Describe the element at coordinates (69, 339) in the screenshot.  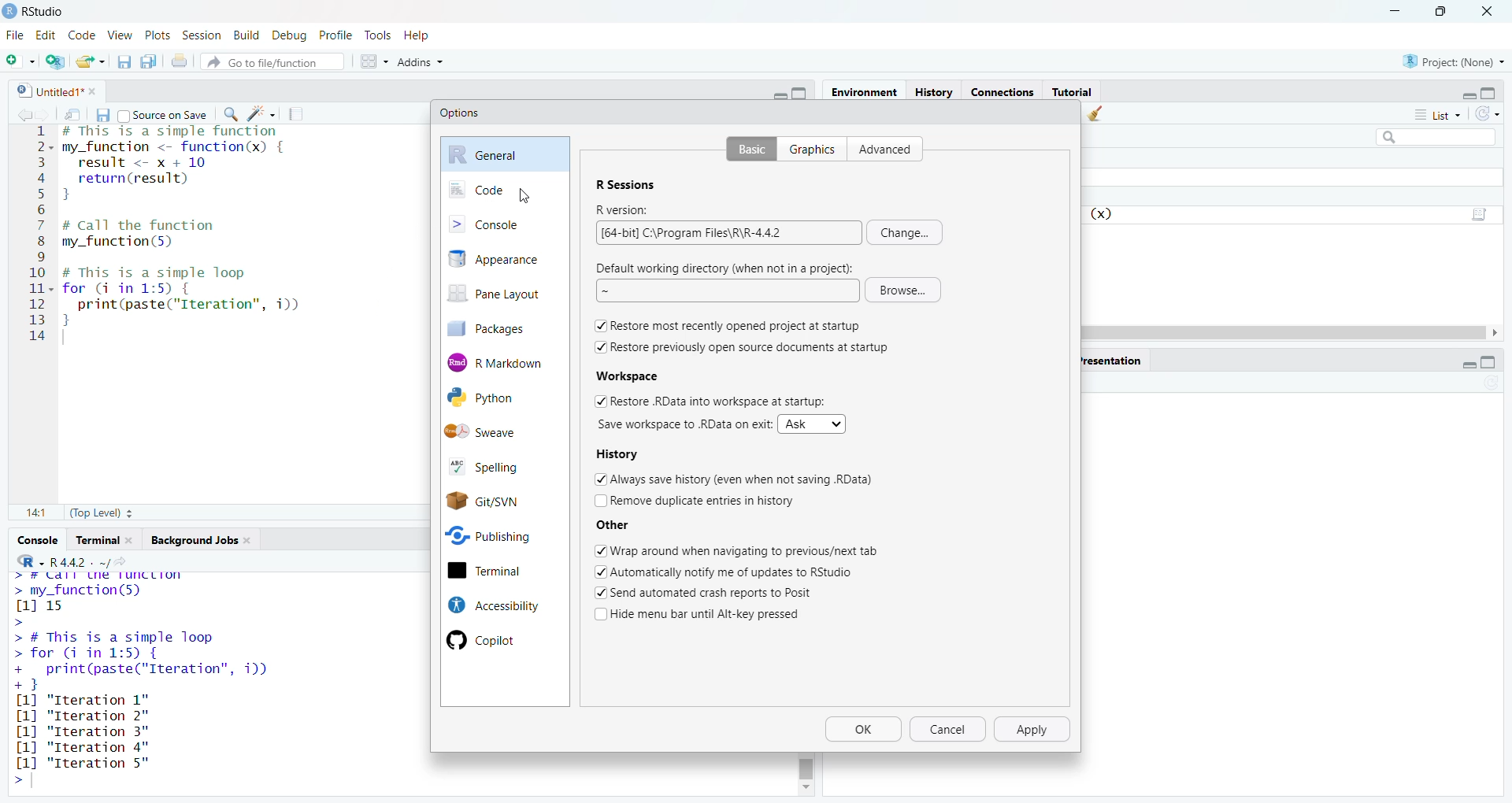
I see `typing cursor` at that location.